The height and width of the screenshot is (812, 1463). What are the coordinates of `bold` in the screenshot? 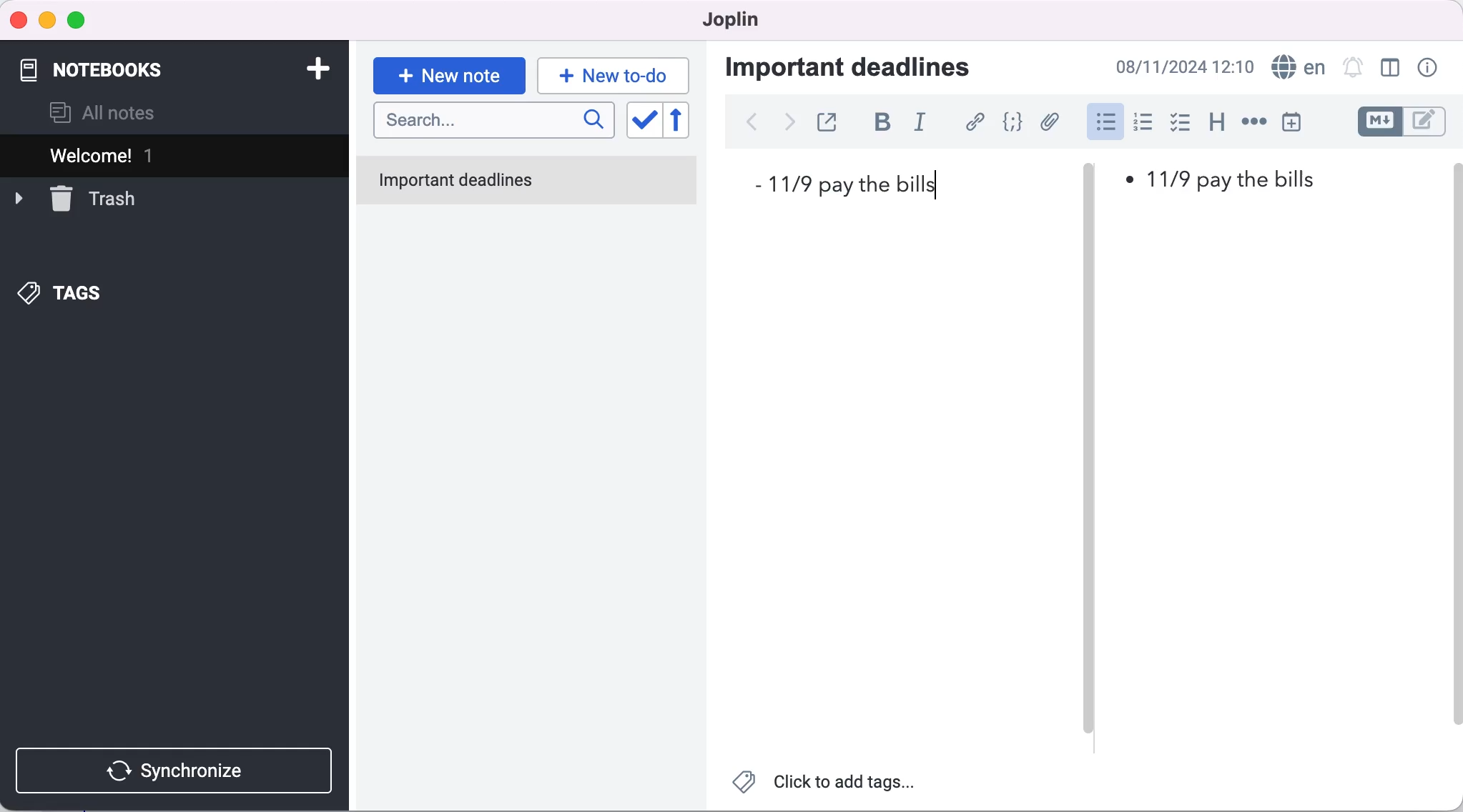 It's located at (876, 124).